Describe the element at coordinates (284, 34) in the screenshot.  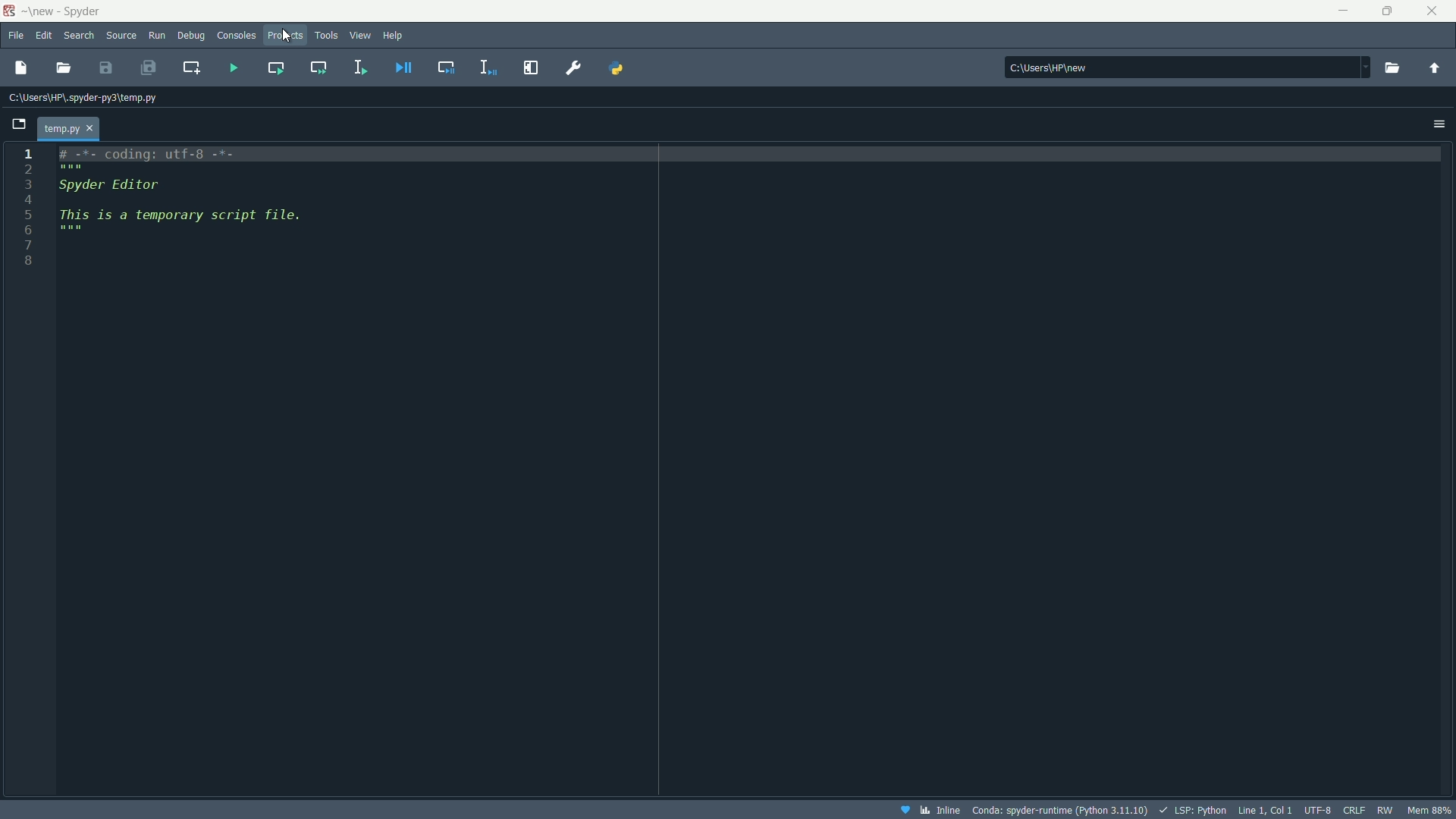
I see `Product menu` at that location.